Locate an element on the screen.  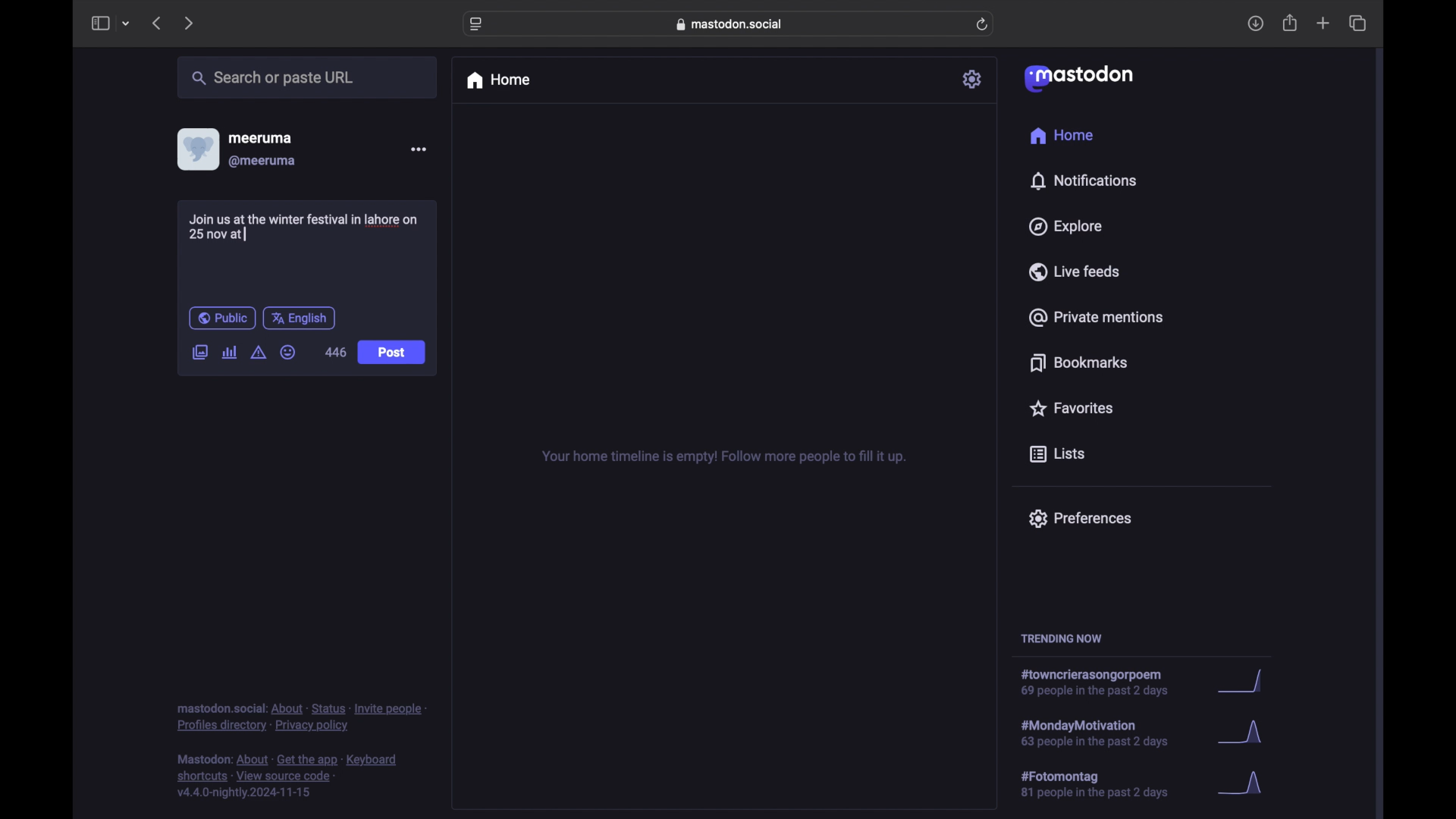
english is located at coordinates (300, 318).